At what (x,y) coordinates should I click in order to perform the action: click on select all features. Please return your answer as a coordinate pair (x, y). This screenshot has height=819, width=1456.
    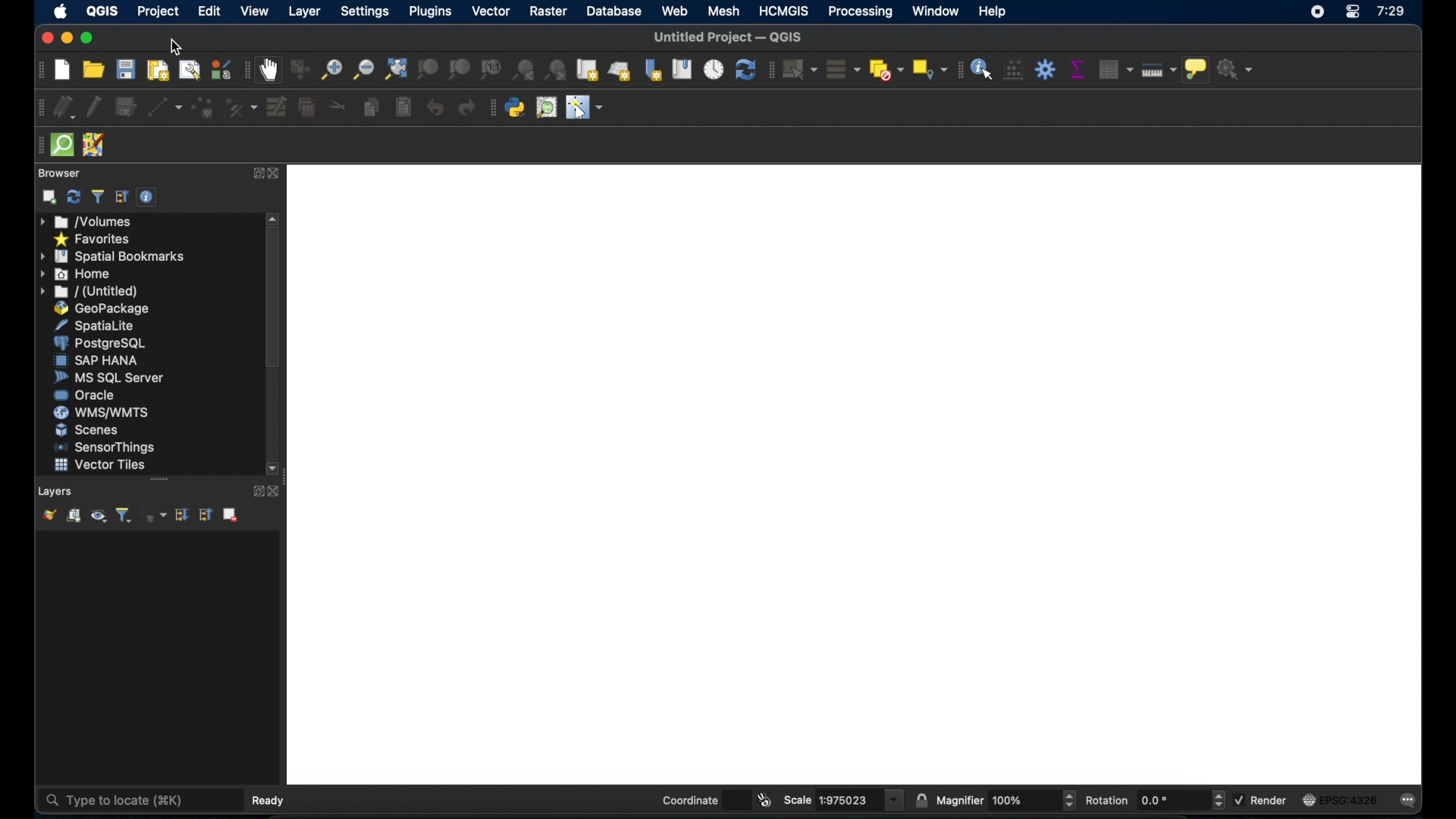
    Looking at the image, I should click on (843, 70).